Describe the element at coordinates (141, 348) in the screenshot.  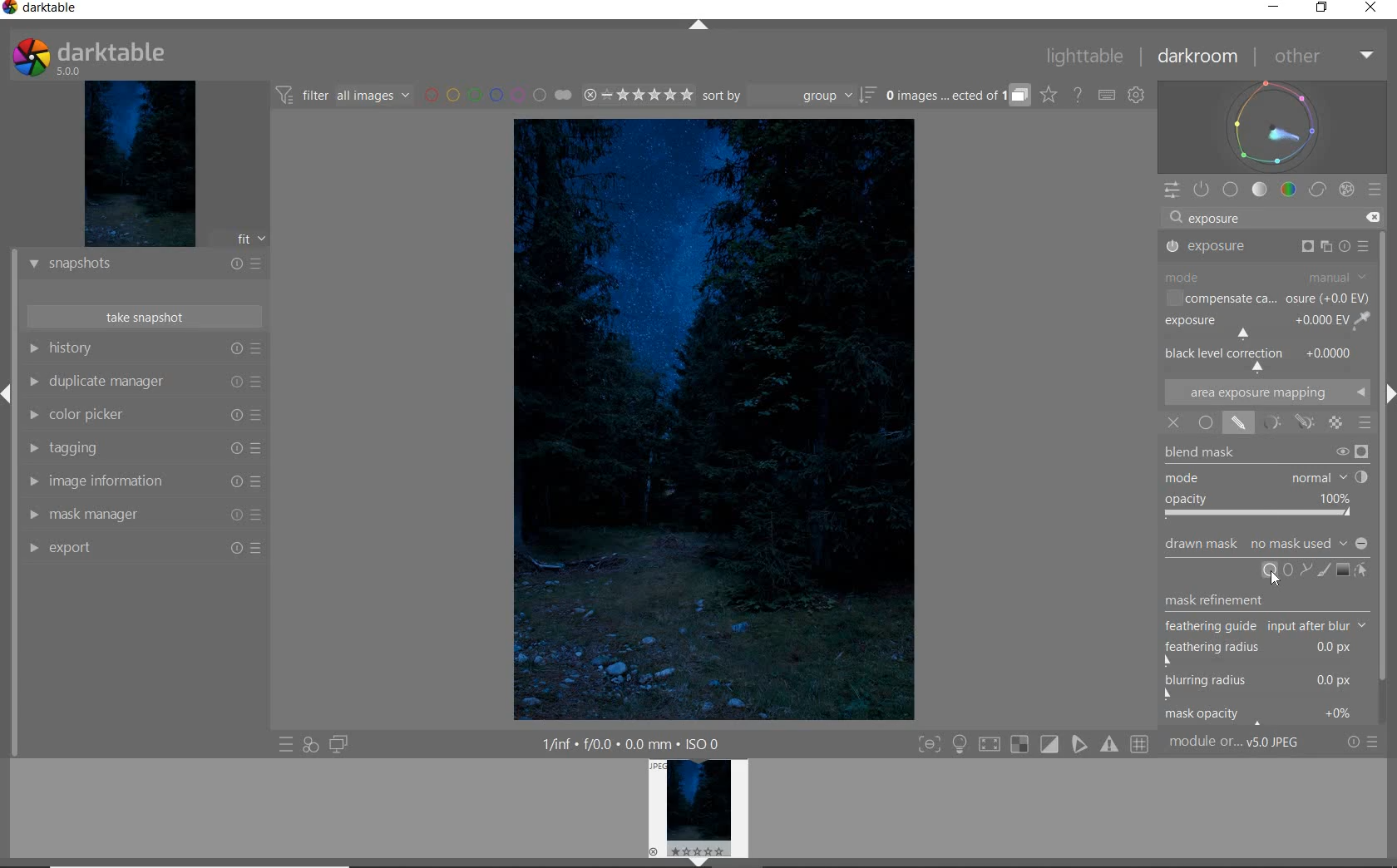
I see `HISTORY` at that location.